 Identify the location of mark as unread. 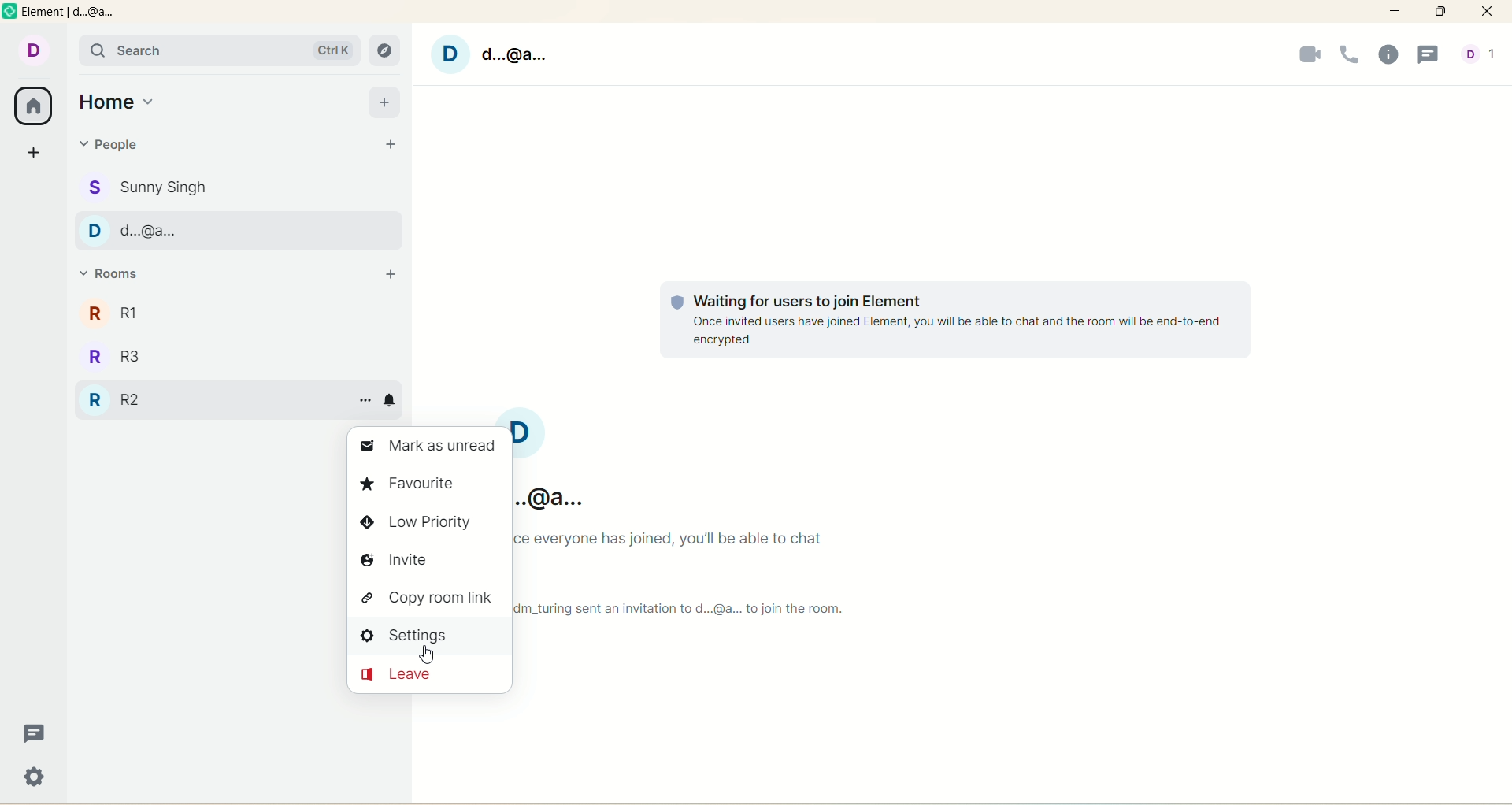
(432, 446).